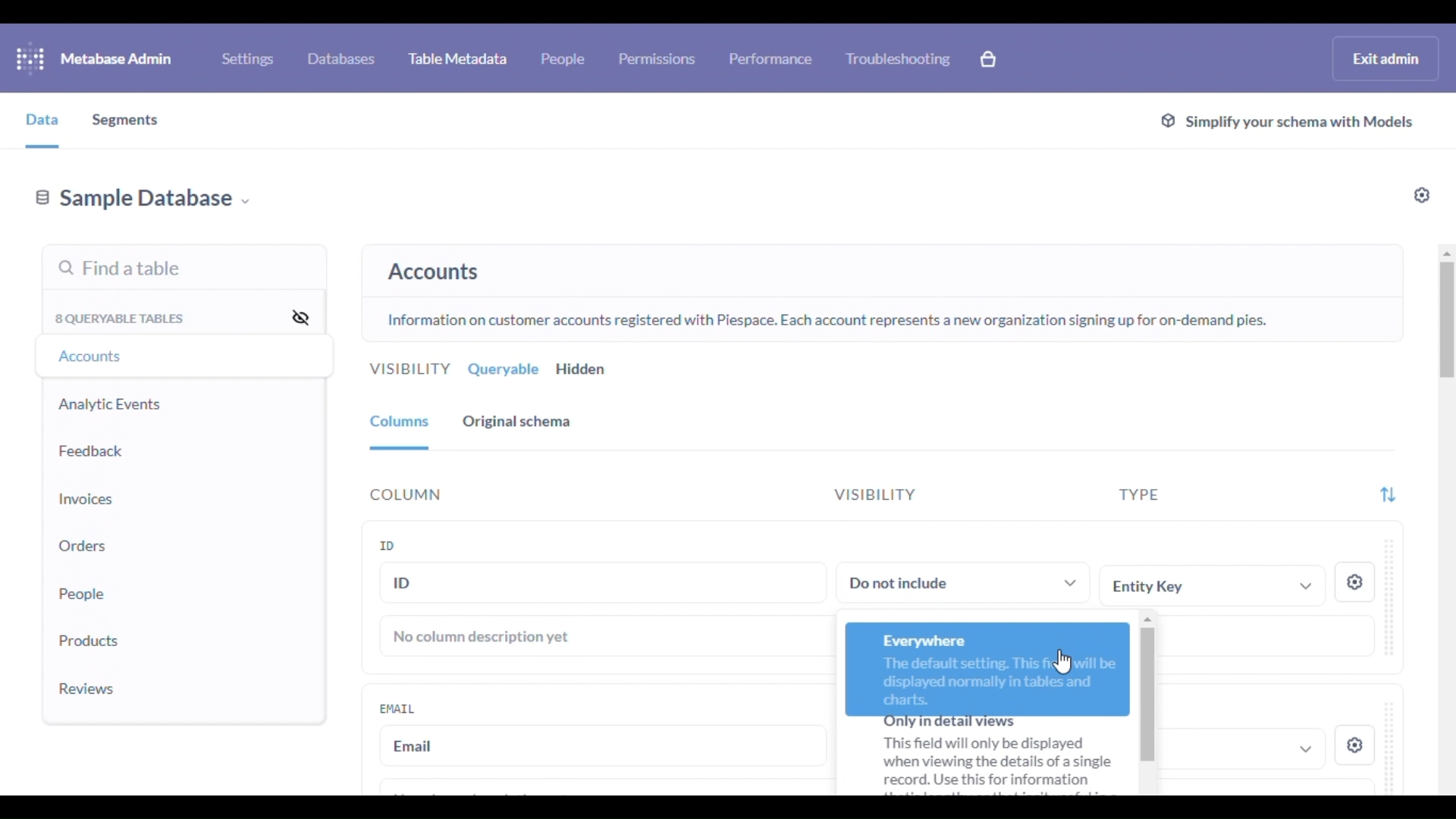  Describe the element at coordinates (91, 641) in the screenshot. I see `products` at that location.